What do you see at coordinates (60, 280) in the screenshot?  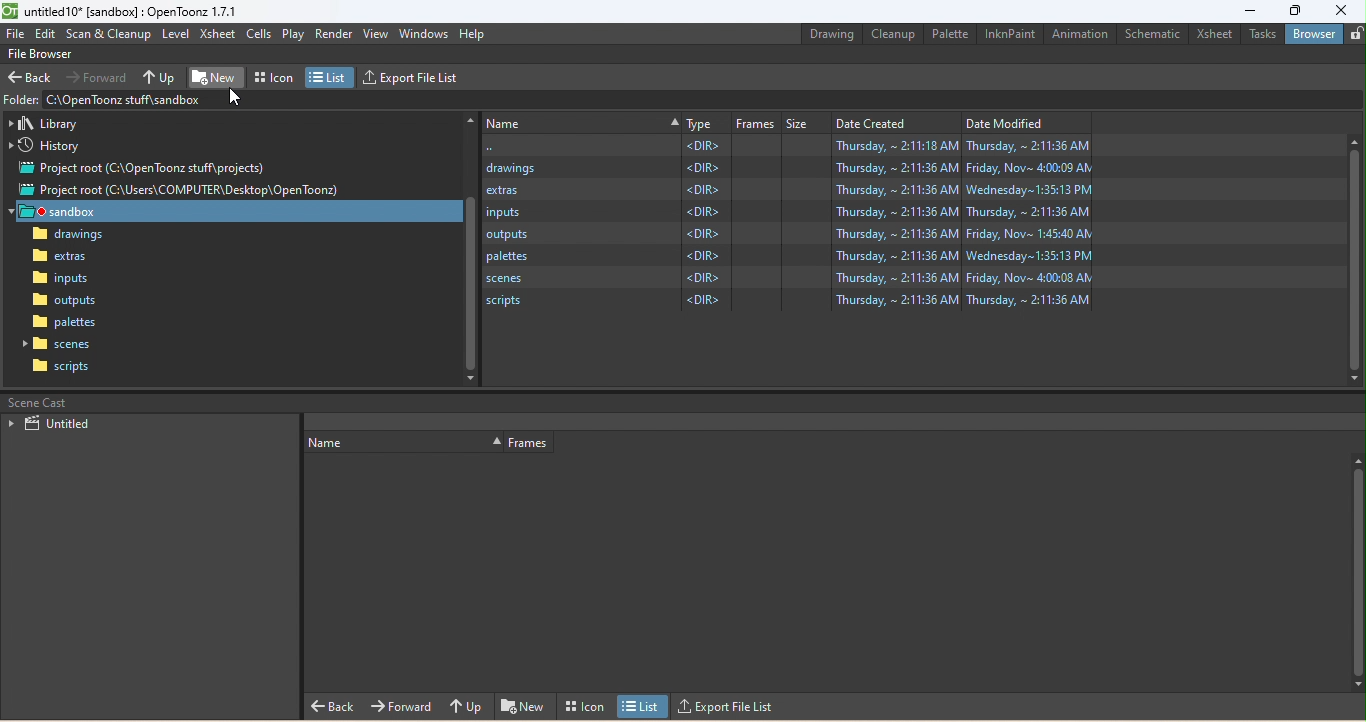 I see `inputs` at bounding box center [60, 280].